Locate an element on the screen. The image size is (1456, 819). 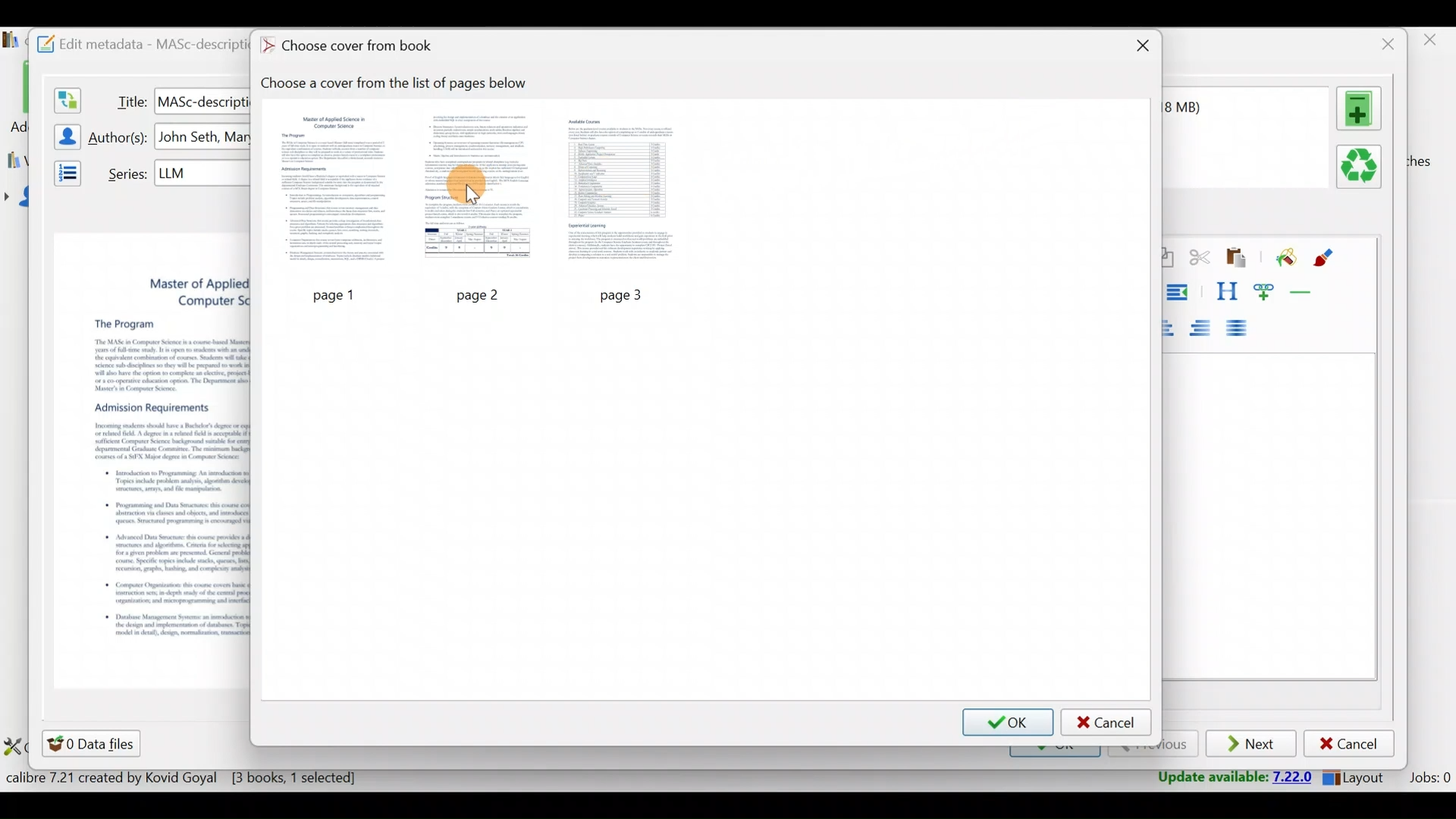
Layouts is located at coordinates (1358, 777).